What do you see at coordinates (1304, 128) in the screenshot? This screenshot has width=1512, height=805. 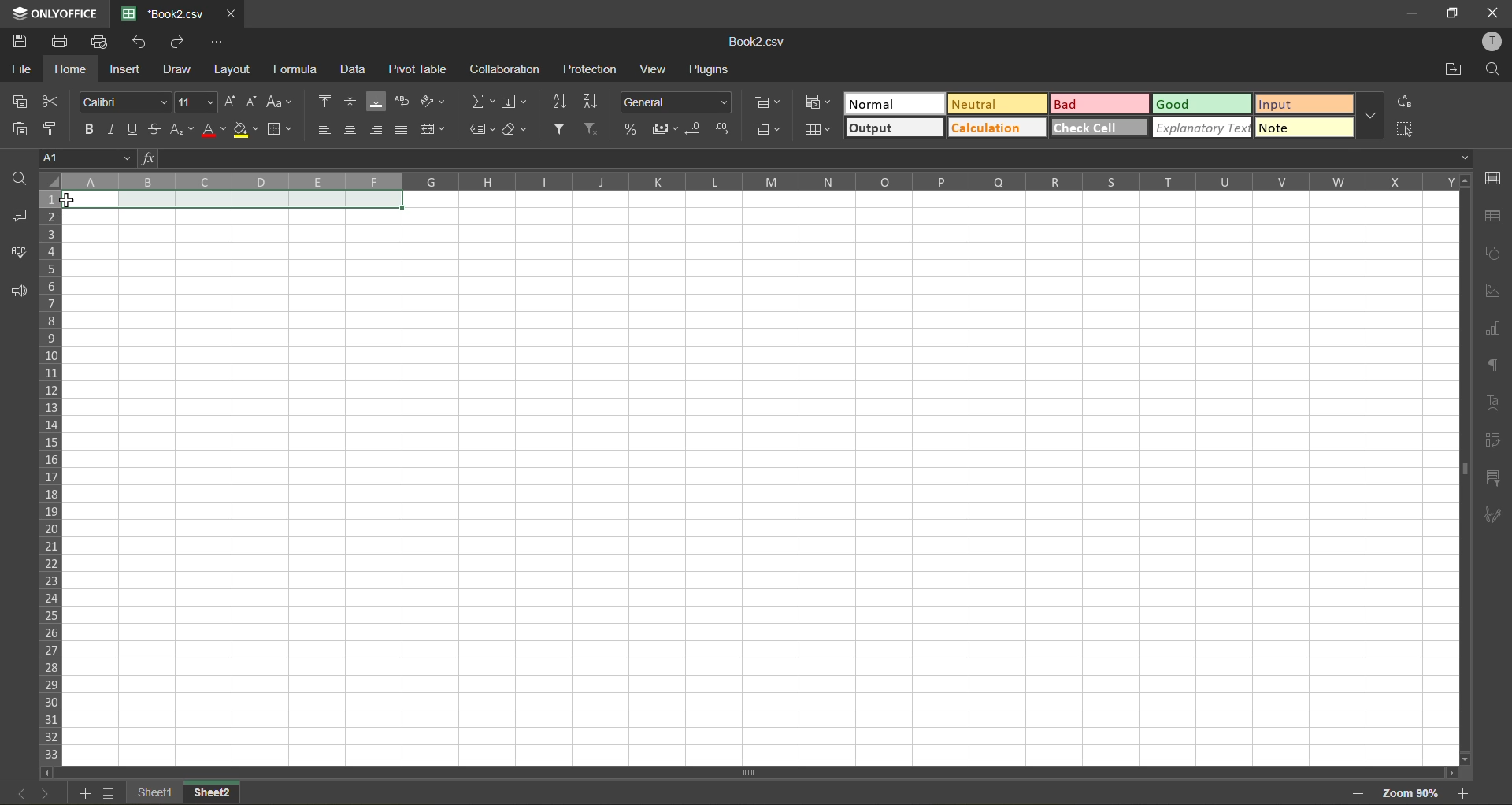 I see `note` at bounding box center [1304, 128].